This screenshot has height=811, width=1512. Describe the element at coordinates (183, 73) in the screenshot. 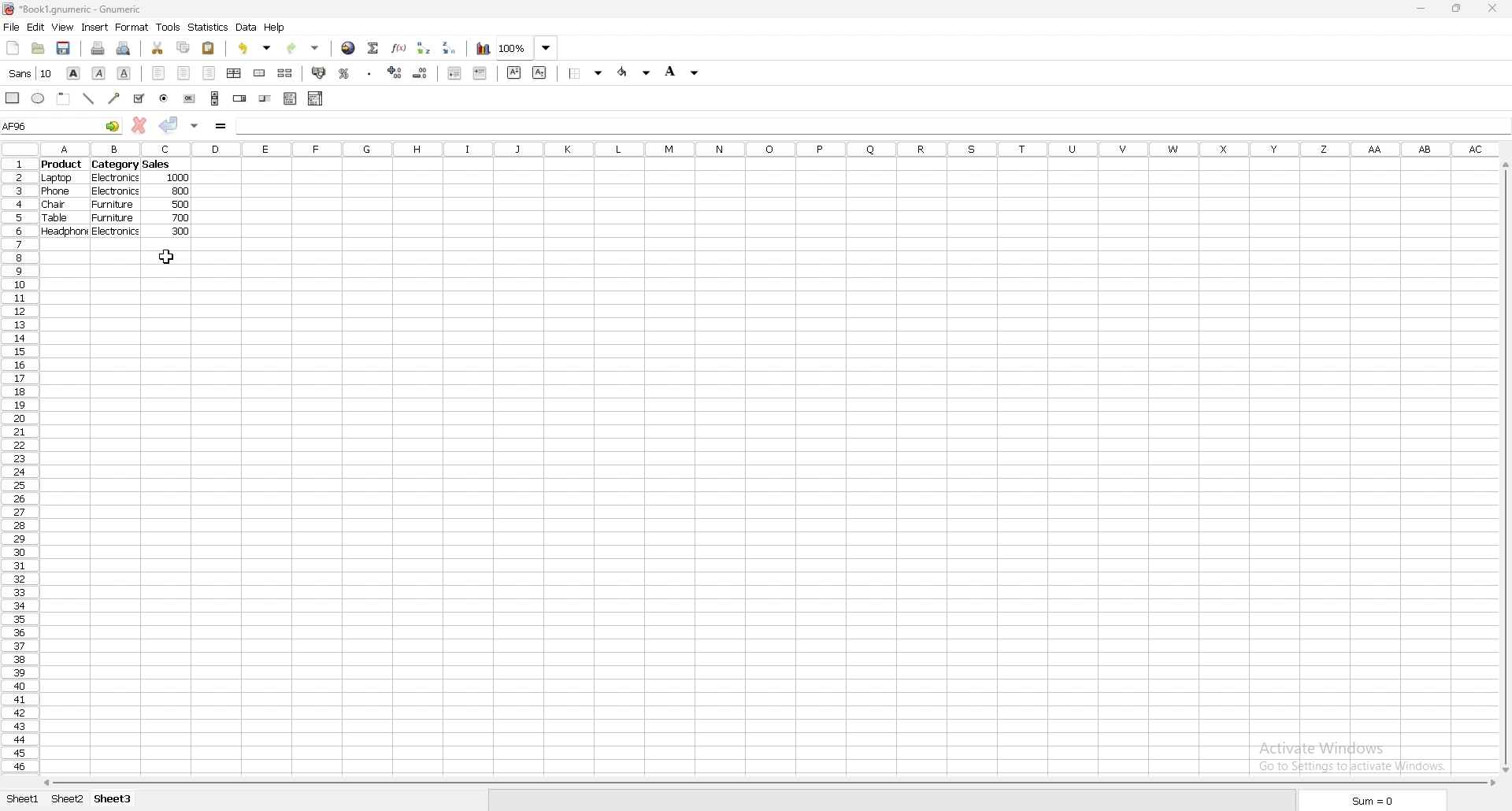

I see `centre` at that location.